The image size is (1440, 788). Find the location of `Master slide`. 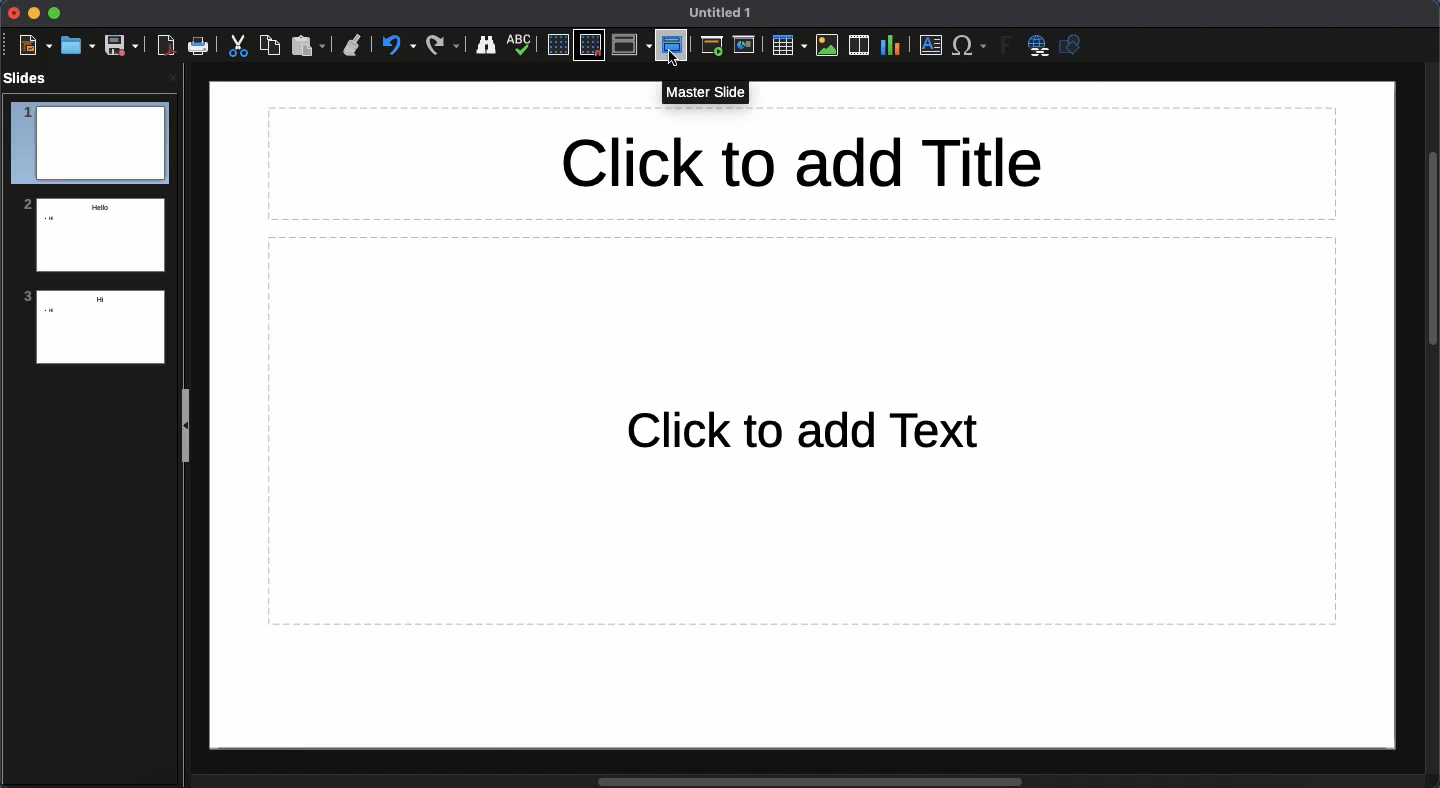

Master slide is located at coordinates (706, 91).